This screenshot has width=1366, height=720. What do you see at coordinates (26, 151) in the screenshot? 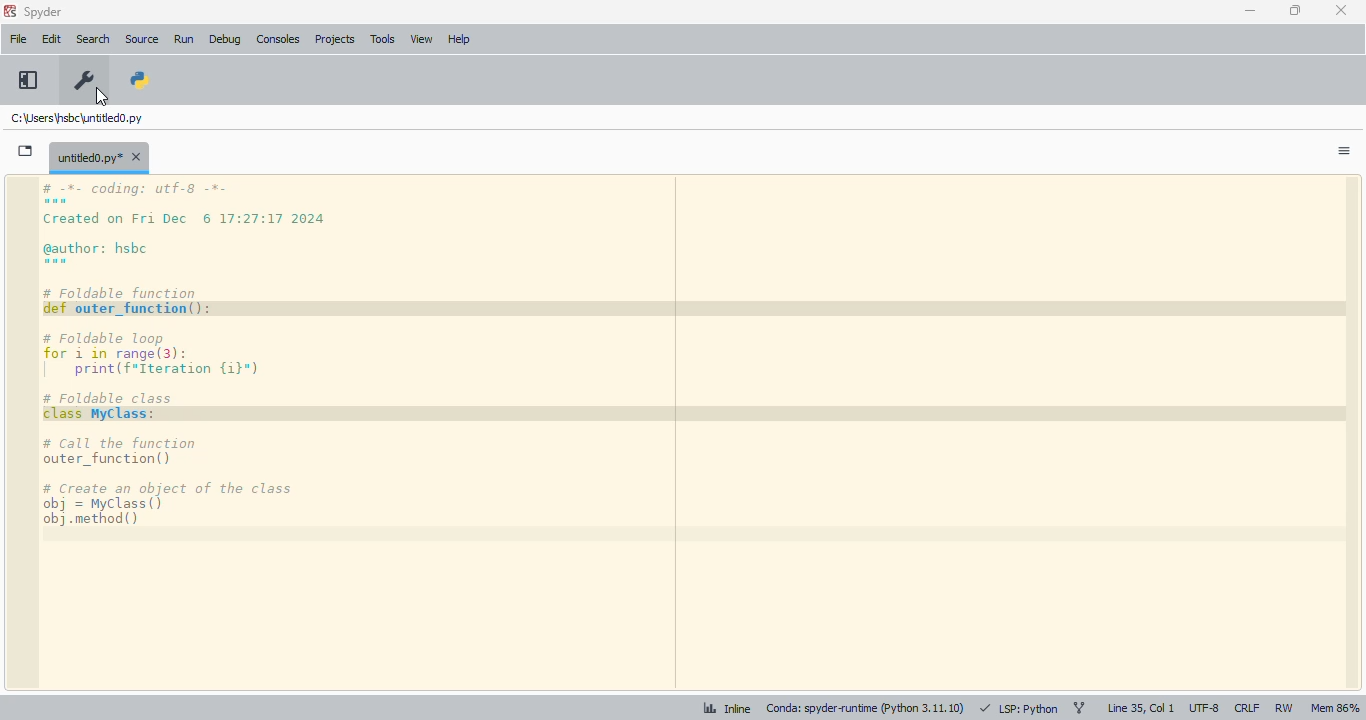
I see `browse tabs` at bounding box center [26, 151].